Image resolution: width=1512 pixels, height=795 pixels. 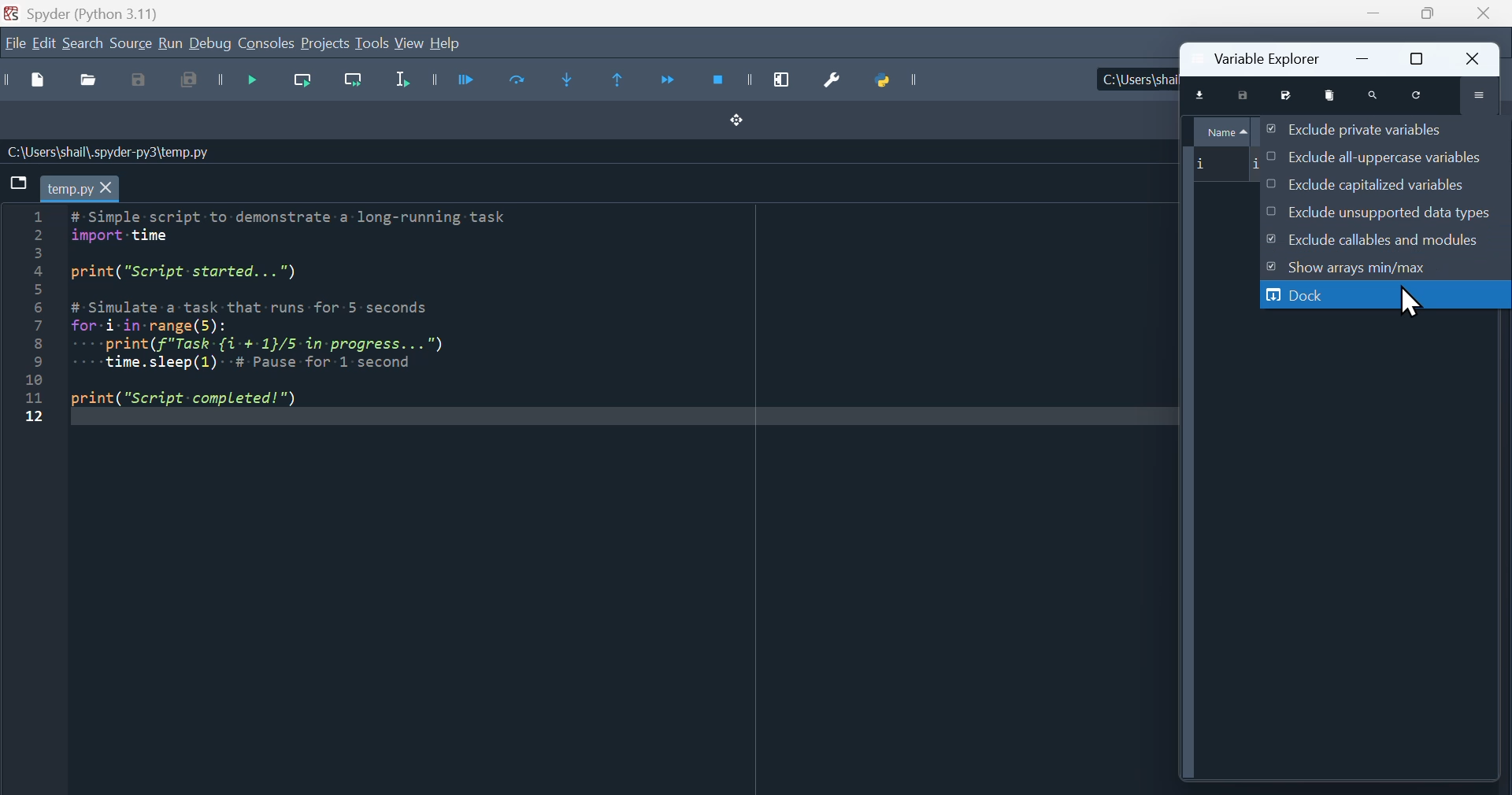 I want to click on Projects, so click(x=325, y=44).